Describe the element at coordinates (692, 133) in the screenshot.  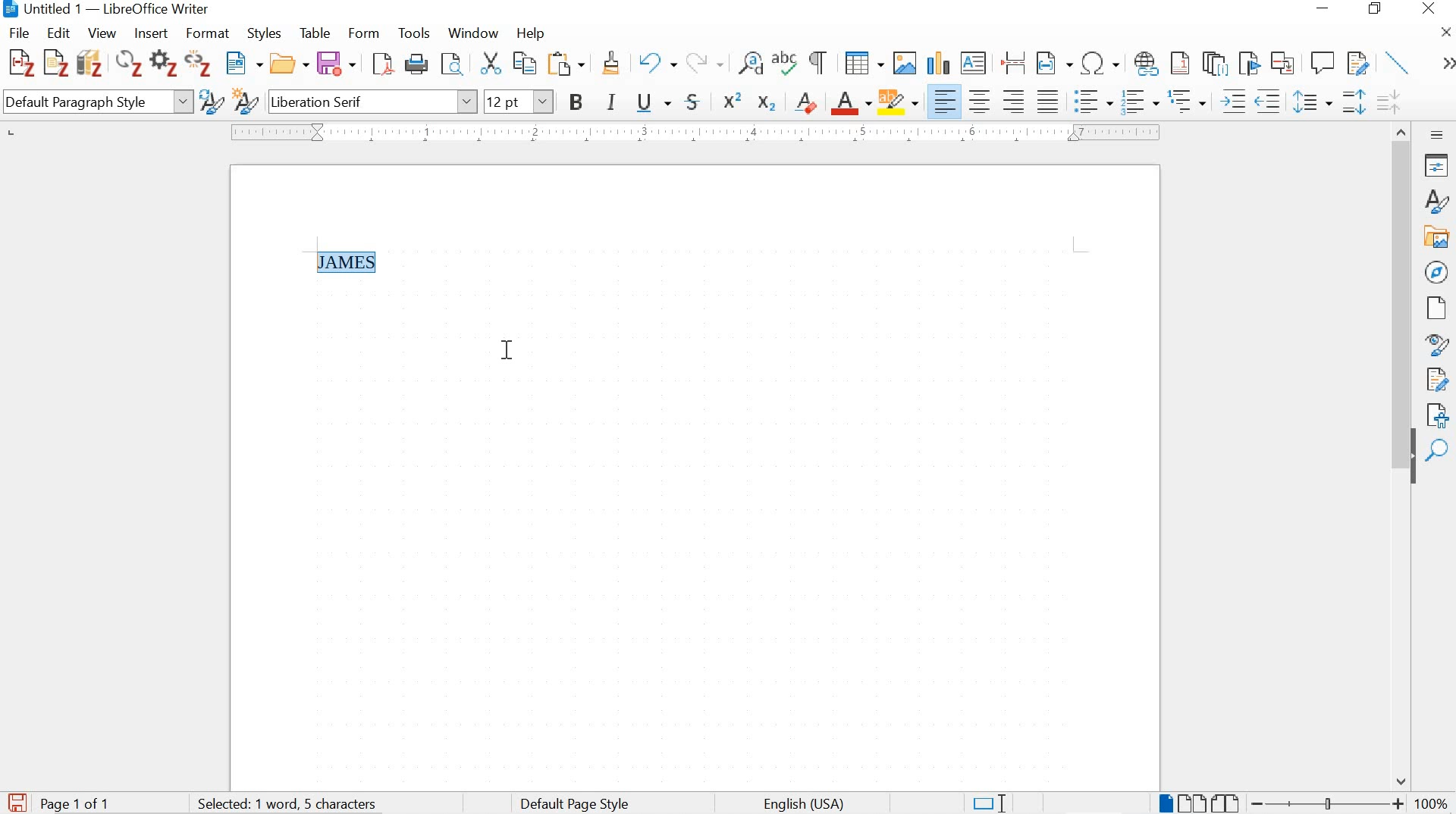
I see `ruler` at that location.